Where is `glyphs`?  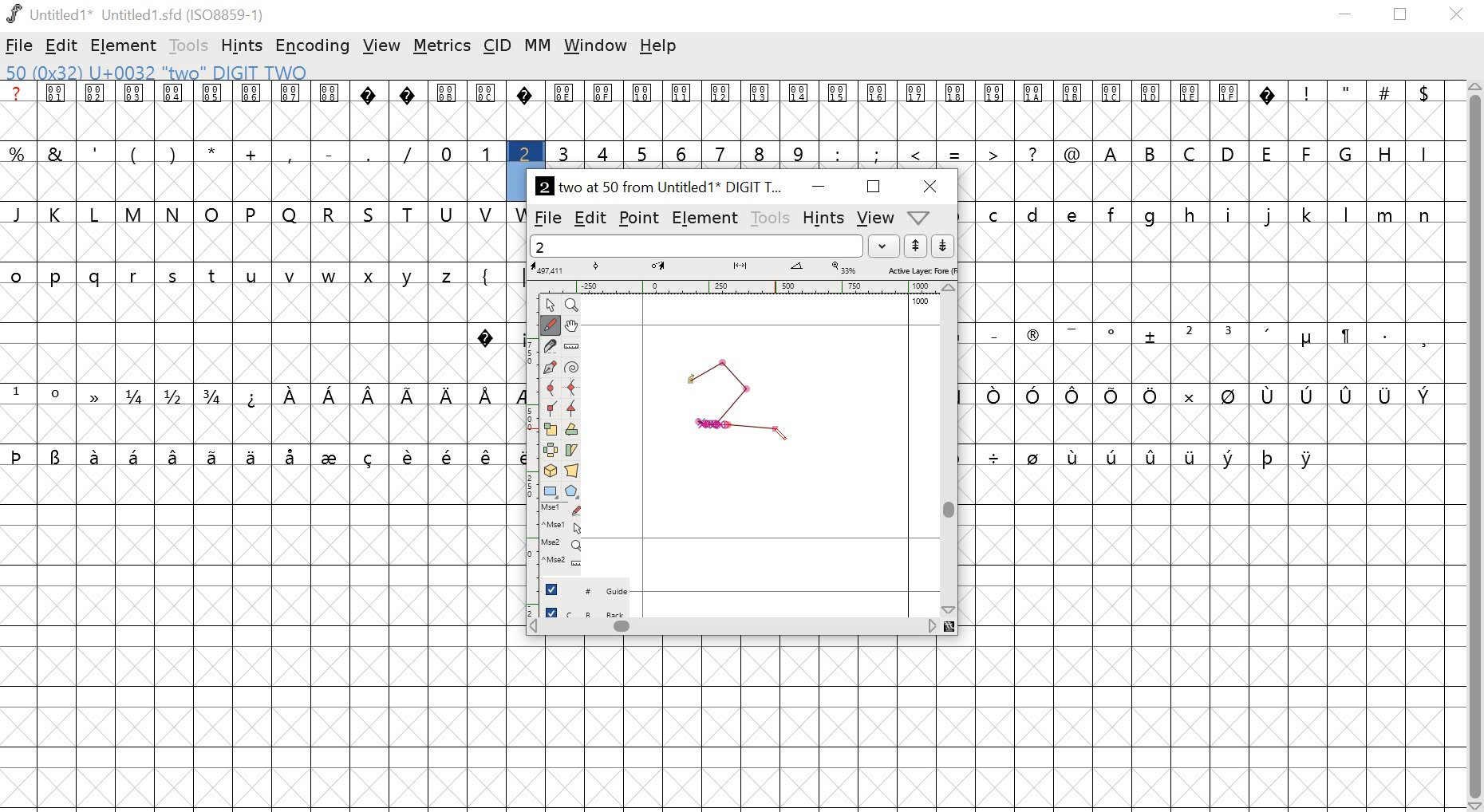
glyphs is located at coordinates (978, 122).